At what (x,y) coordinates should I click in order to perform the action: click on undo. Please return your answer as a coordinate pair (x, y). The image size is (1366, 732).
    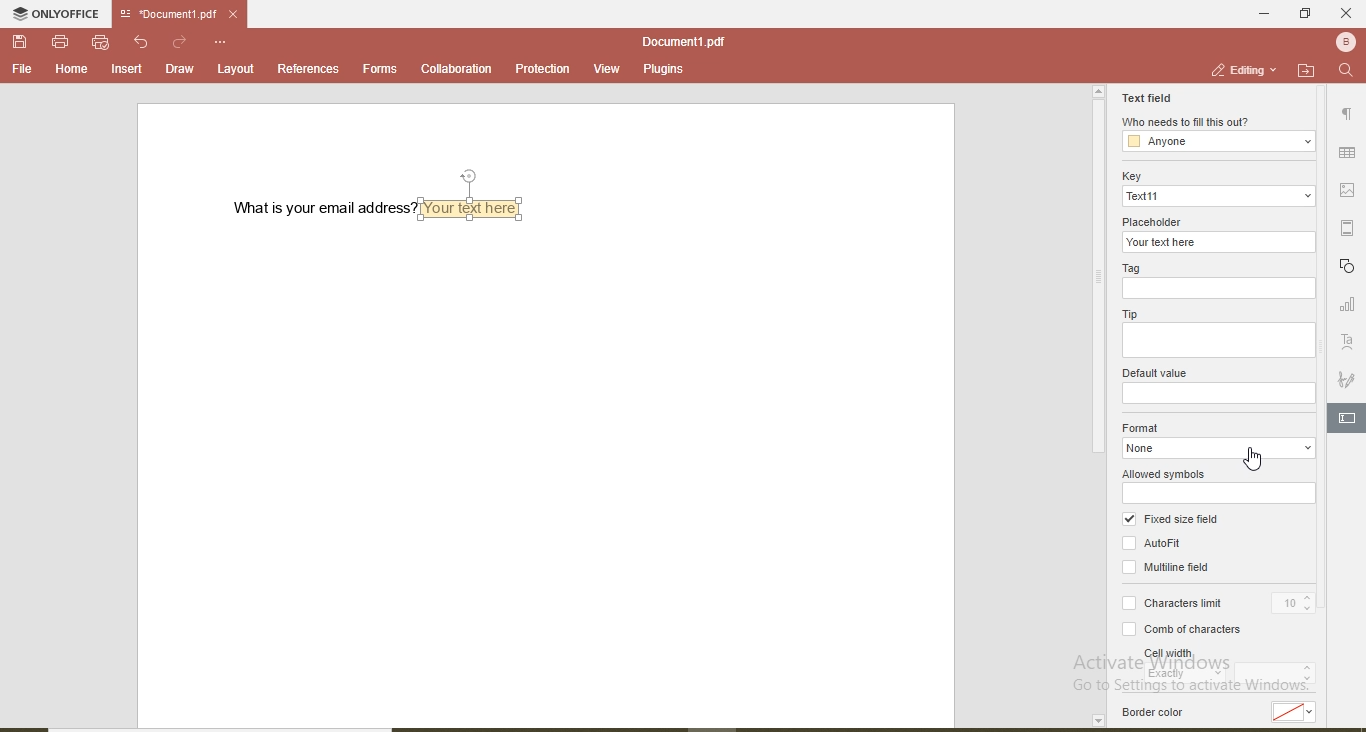
    Looking at the image, I should click on (144, 42).